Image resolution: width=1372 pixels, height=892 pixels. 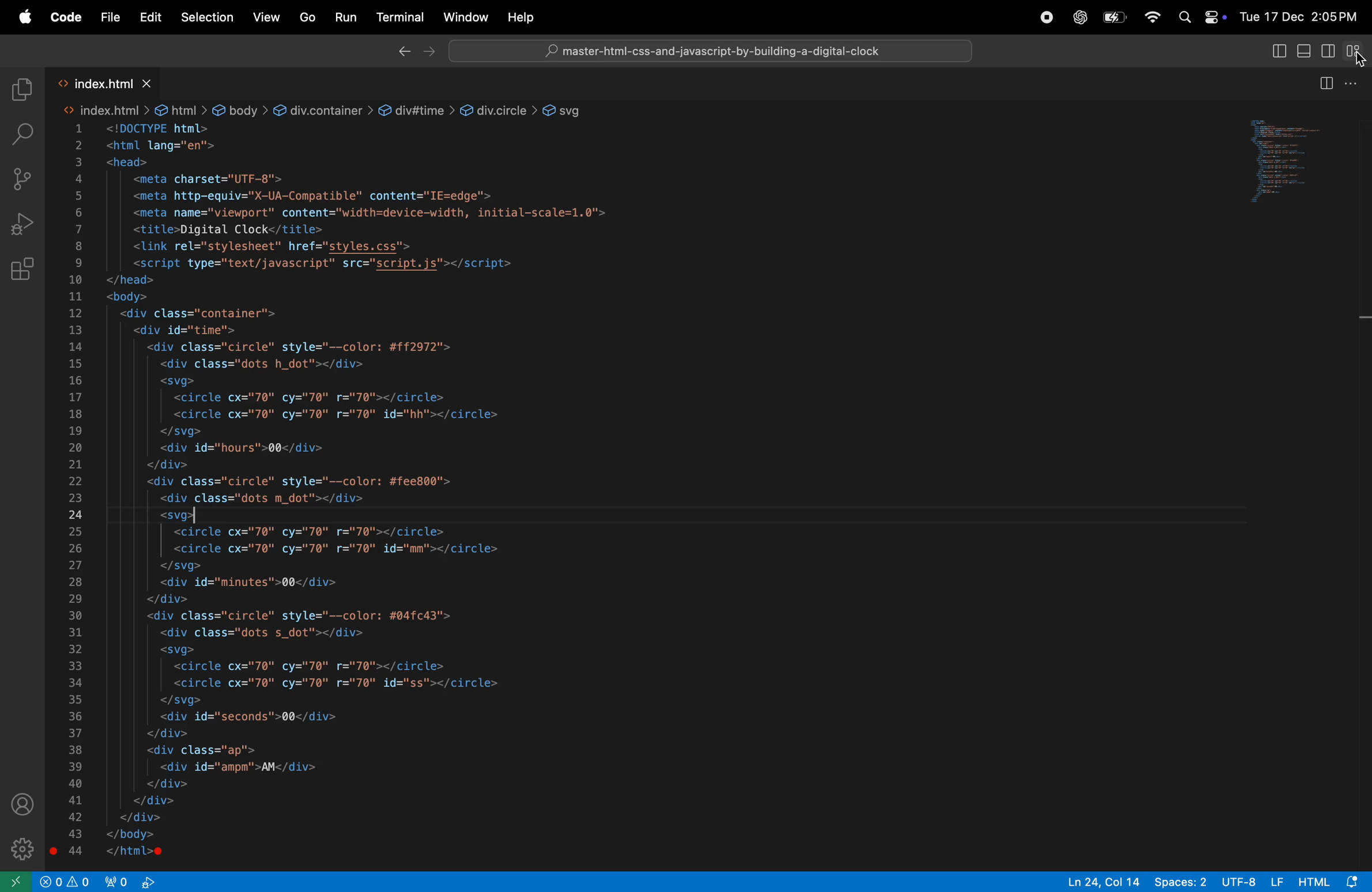 I want to click on ' master-html-css-and-javascript-by-building-a-digital-clock, so click(x=711, y=52).